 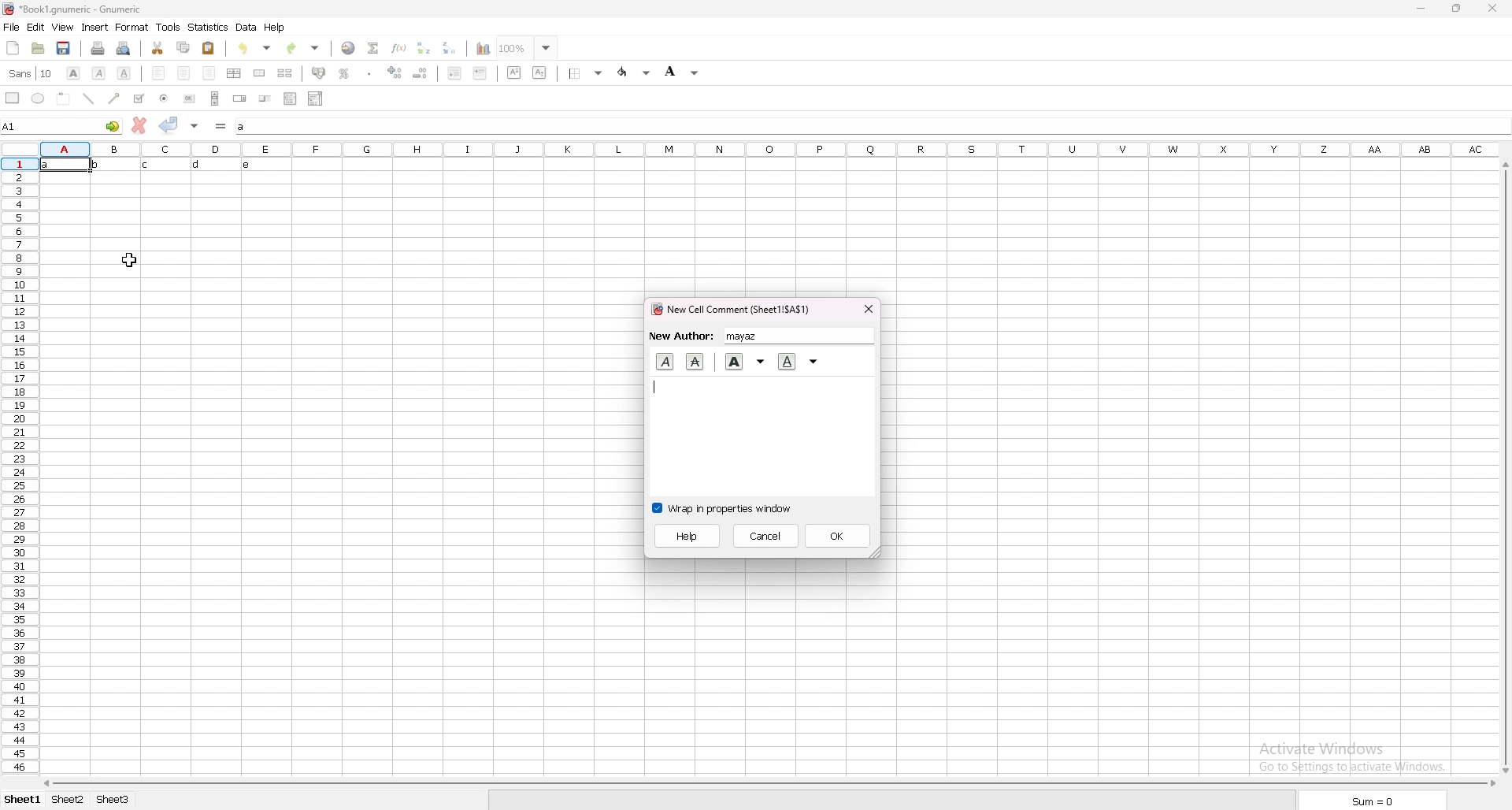 I want to click on thousand separator, so click(x=370, y=72).